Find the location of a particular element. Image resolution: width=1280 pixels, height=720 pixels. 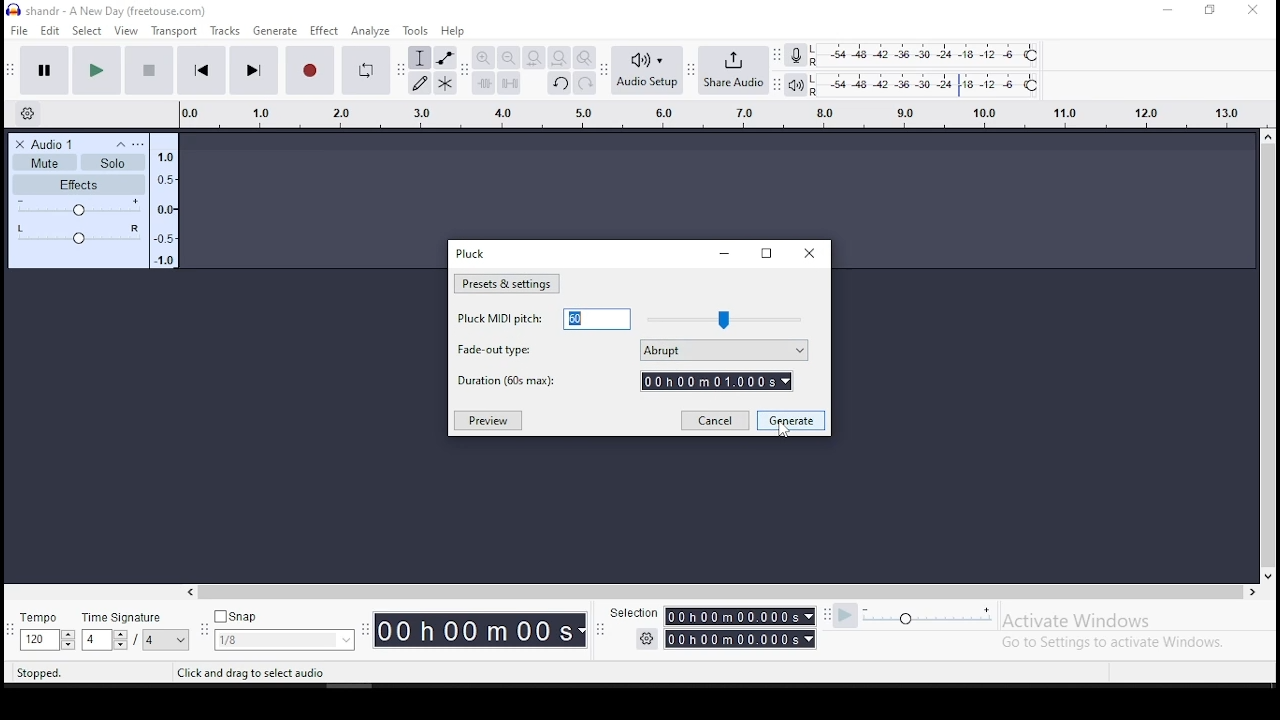

effect is located at coordinates (325, 30).